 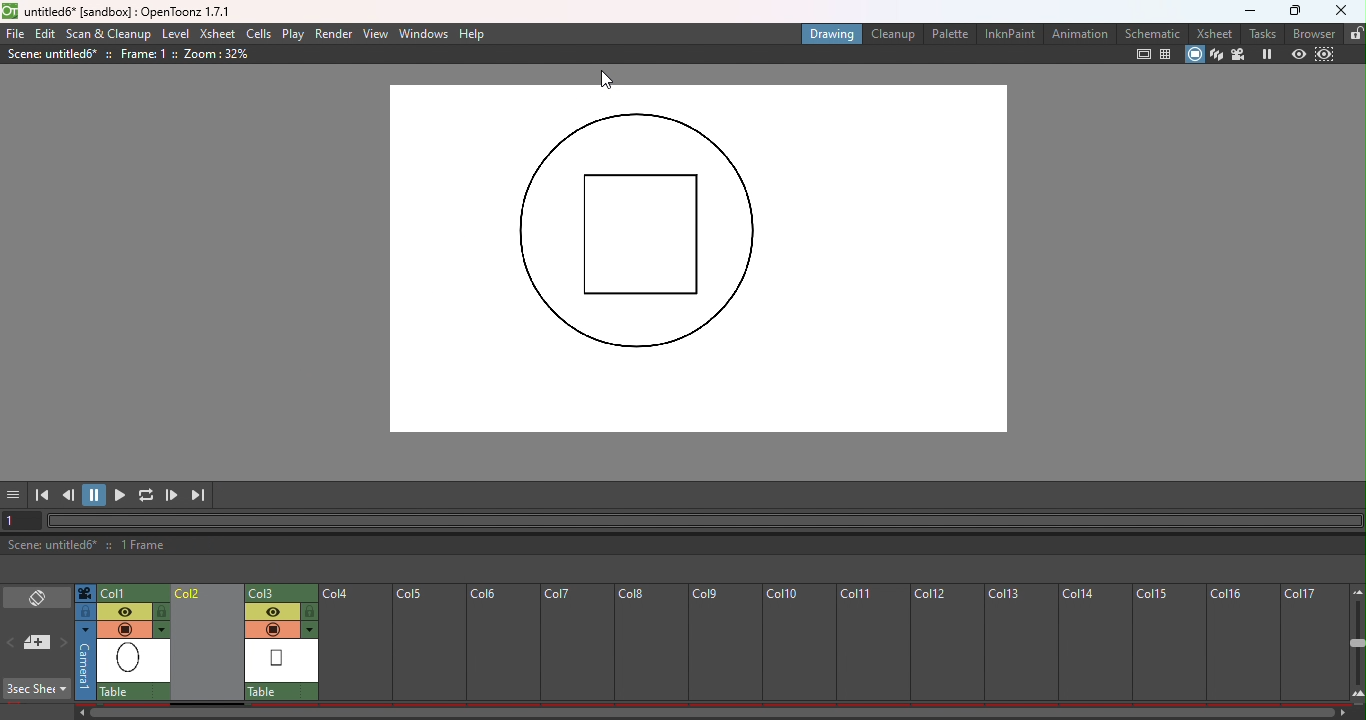 What do you see at coordinates (823, 639) in the screenshot?
I see `Columns` at bounding box center [823, 639].